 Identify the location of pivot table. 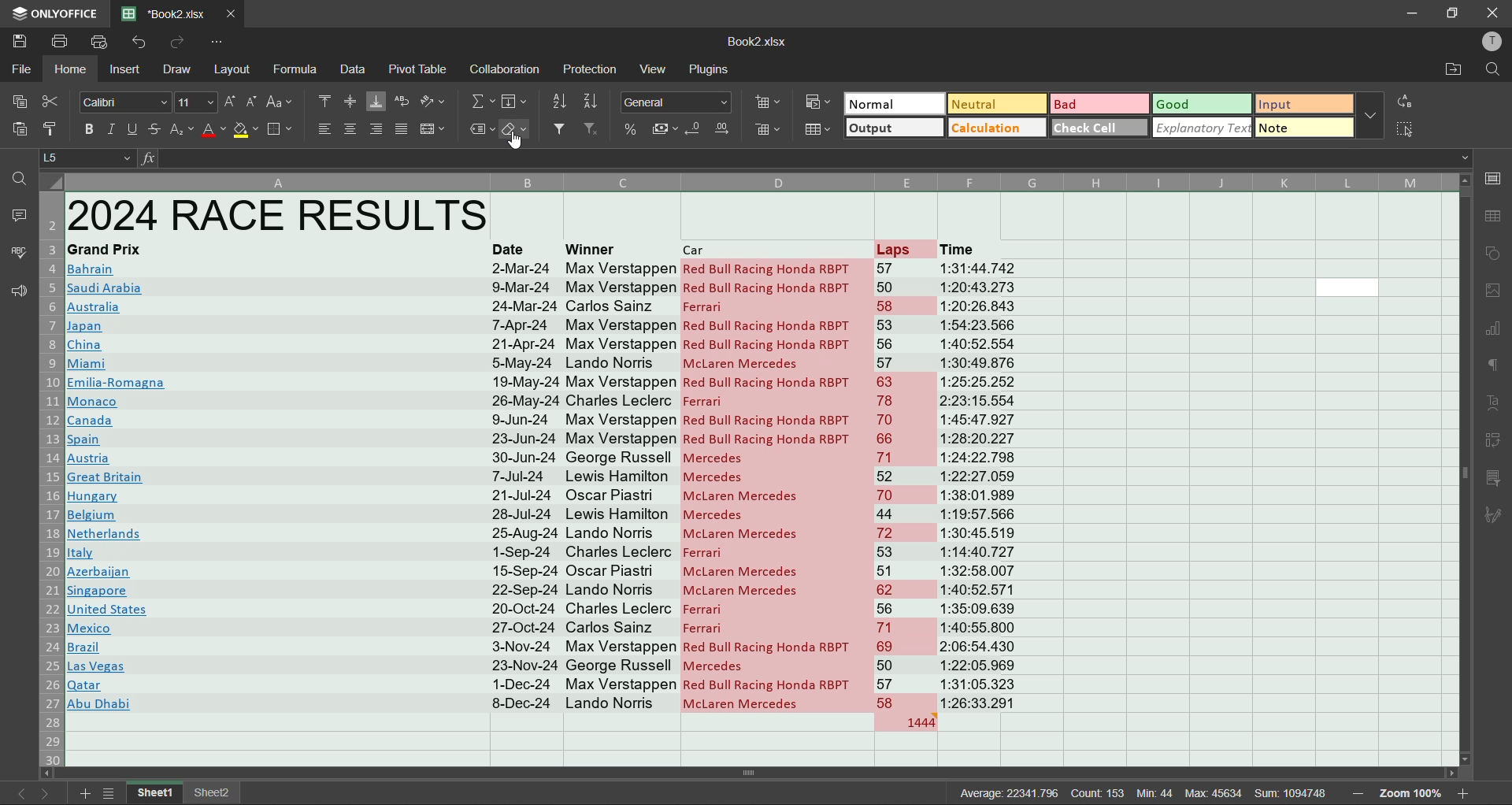
(420, 70).